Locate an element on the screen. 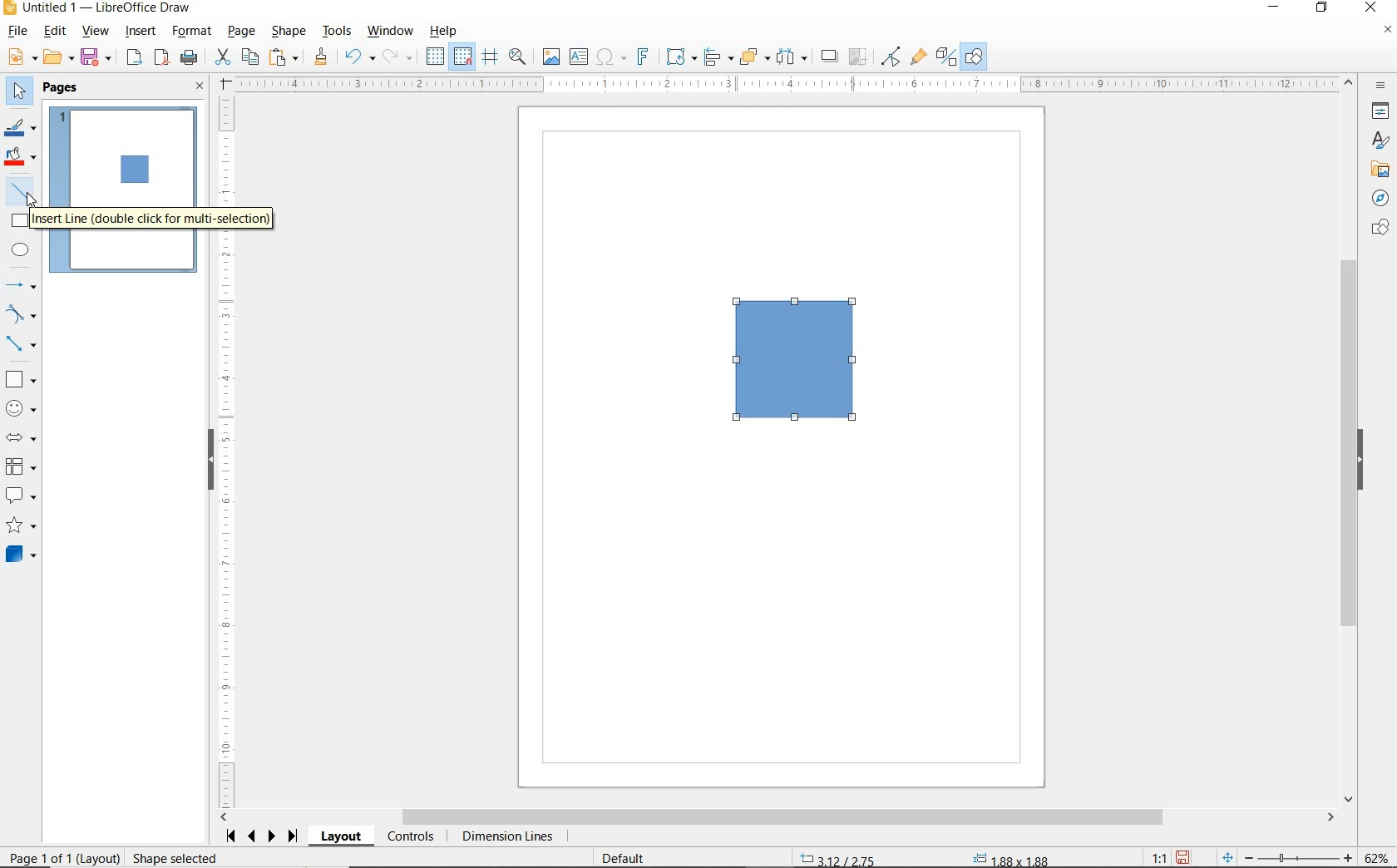 The height and width of the screenshot is (868, 1397). INSERT SPECIAL CHARACTERS is located at coordinates (610, 57).